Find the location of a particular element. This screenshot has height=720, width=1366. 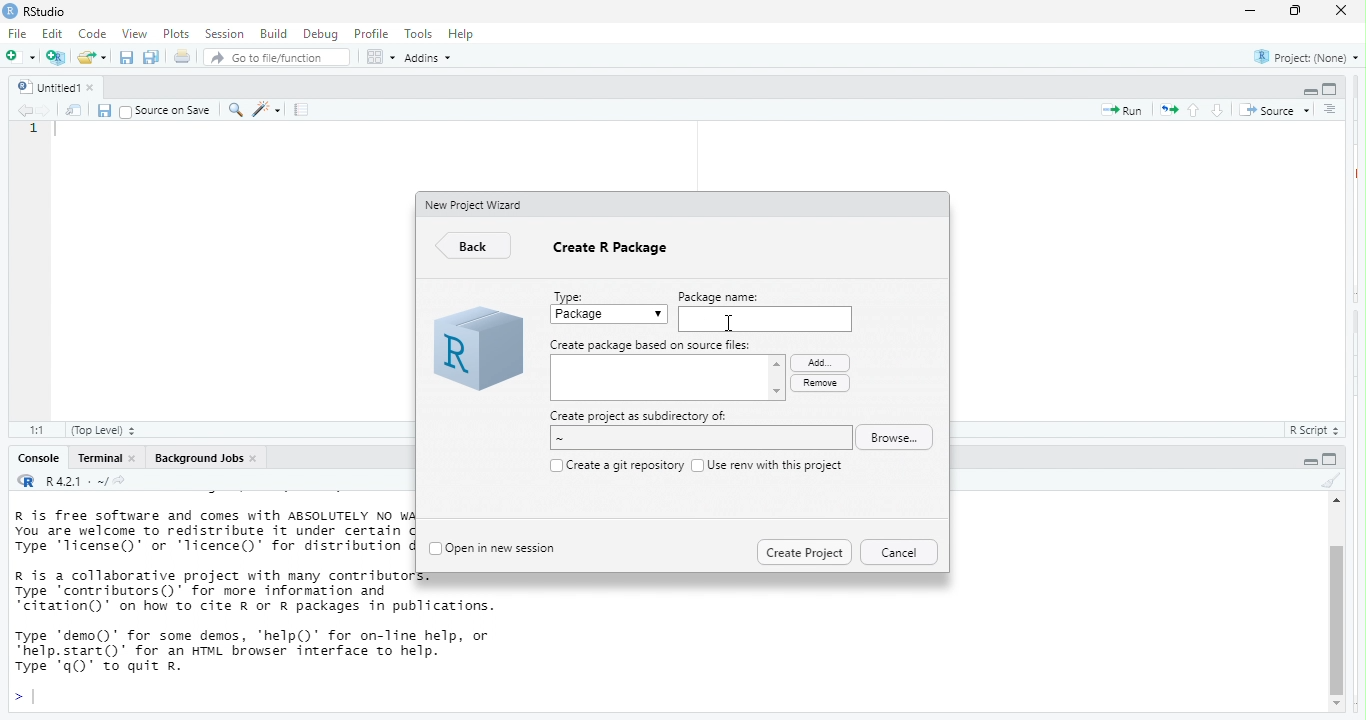

go to next section/chunk is located at coordinates (1216, 111).